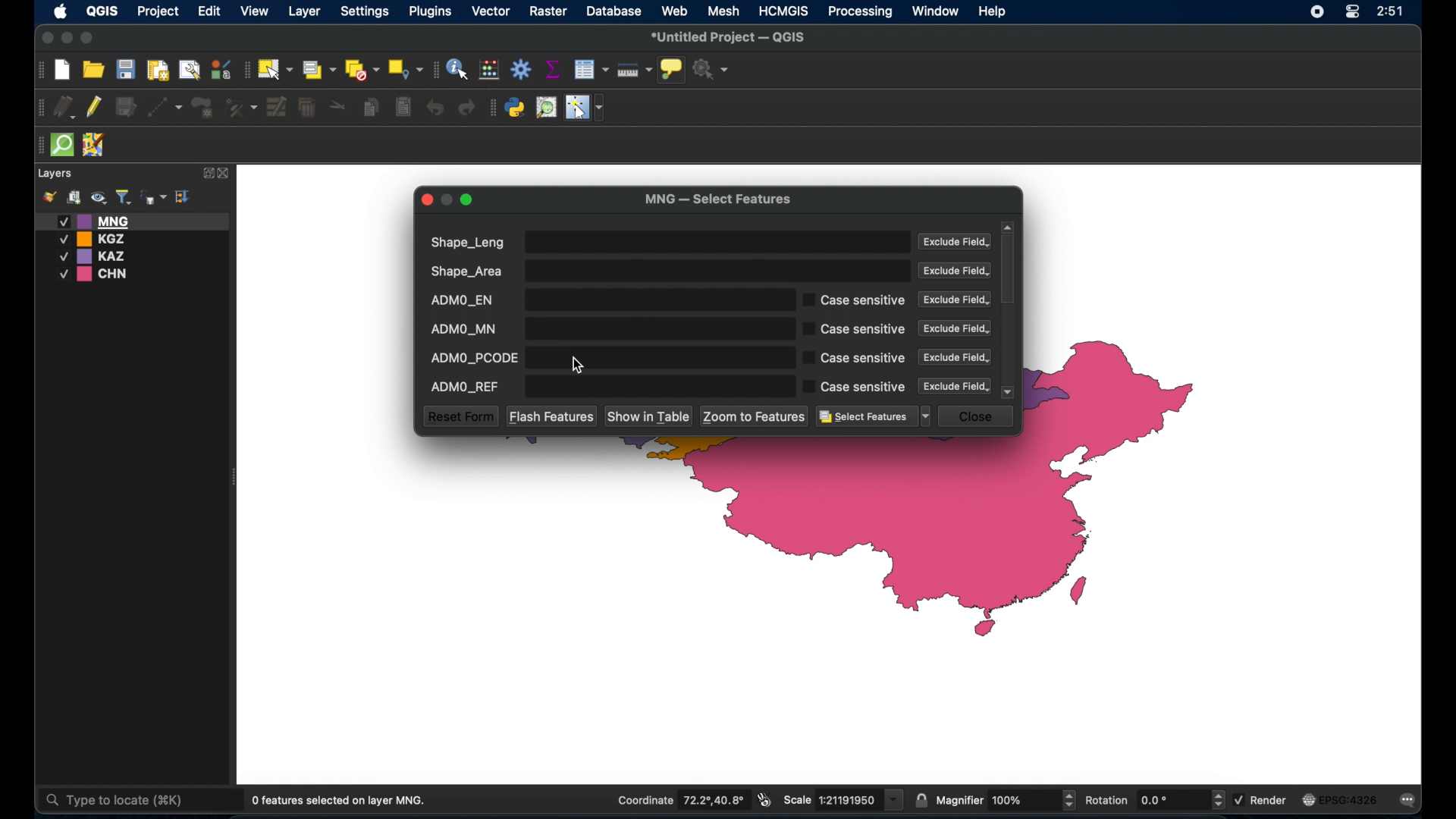  Describe the element at coordinates (469, 201) in the screenshot. I see `maximize` at that location.